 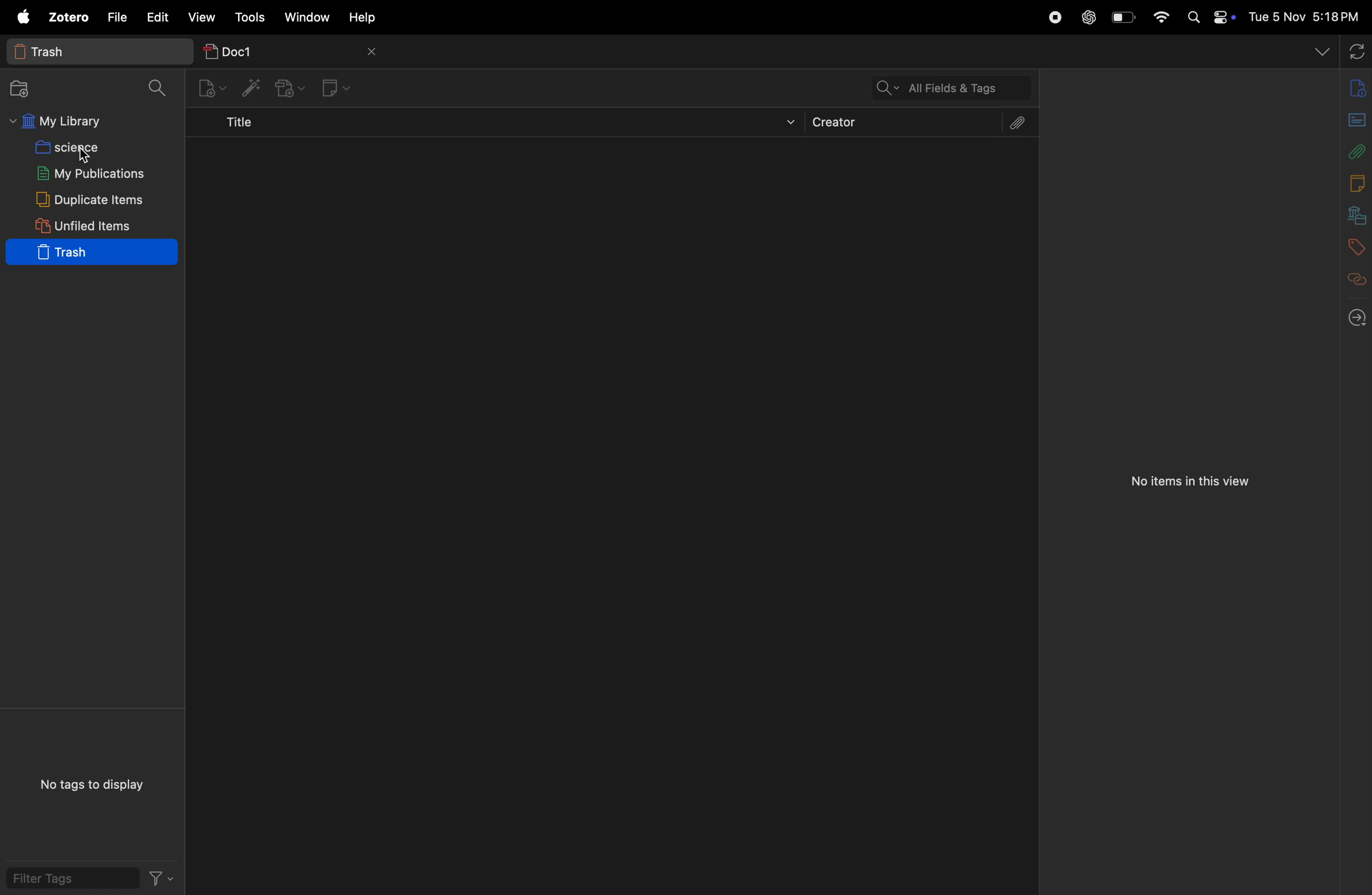 What do you see at coordinates (898, 123) in the screenshot?
I see `Creator` at bounding box center [898, 123].